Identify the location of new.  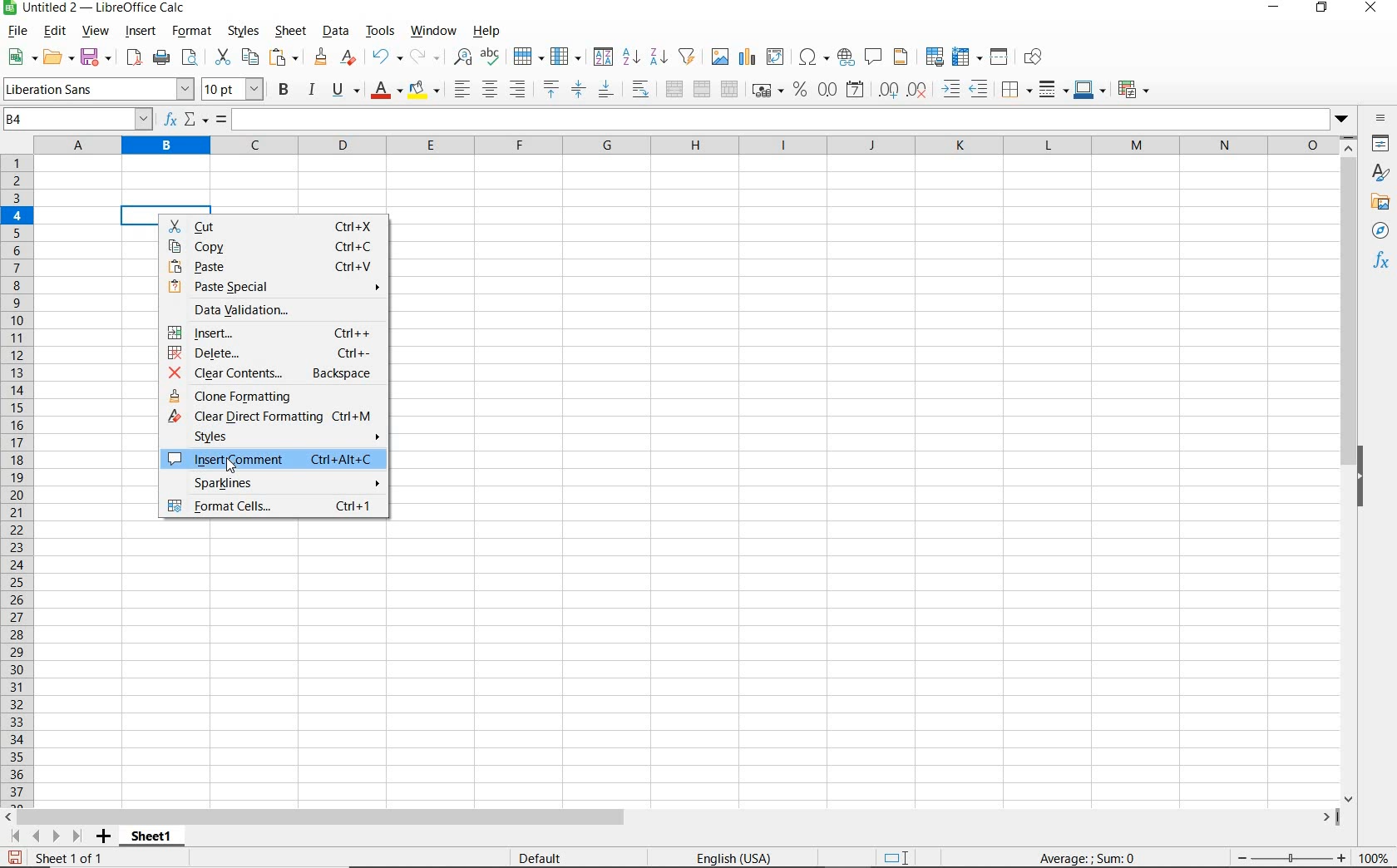
(22, 58).